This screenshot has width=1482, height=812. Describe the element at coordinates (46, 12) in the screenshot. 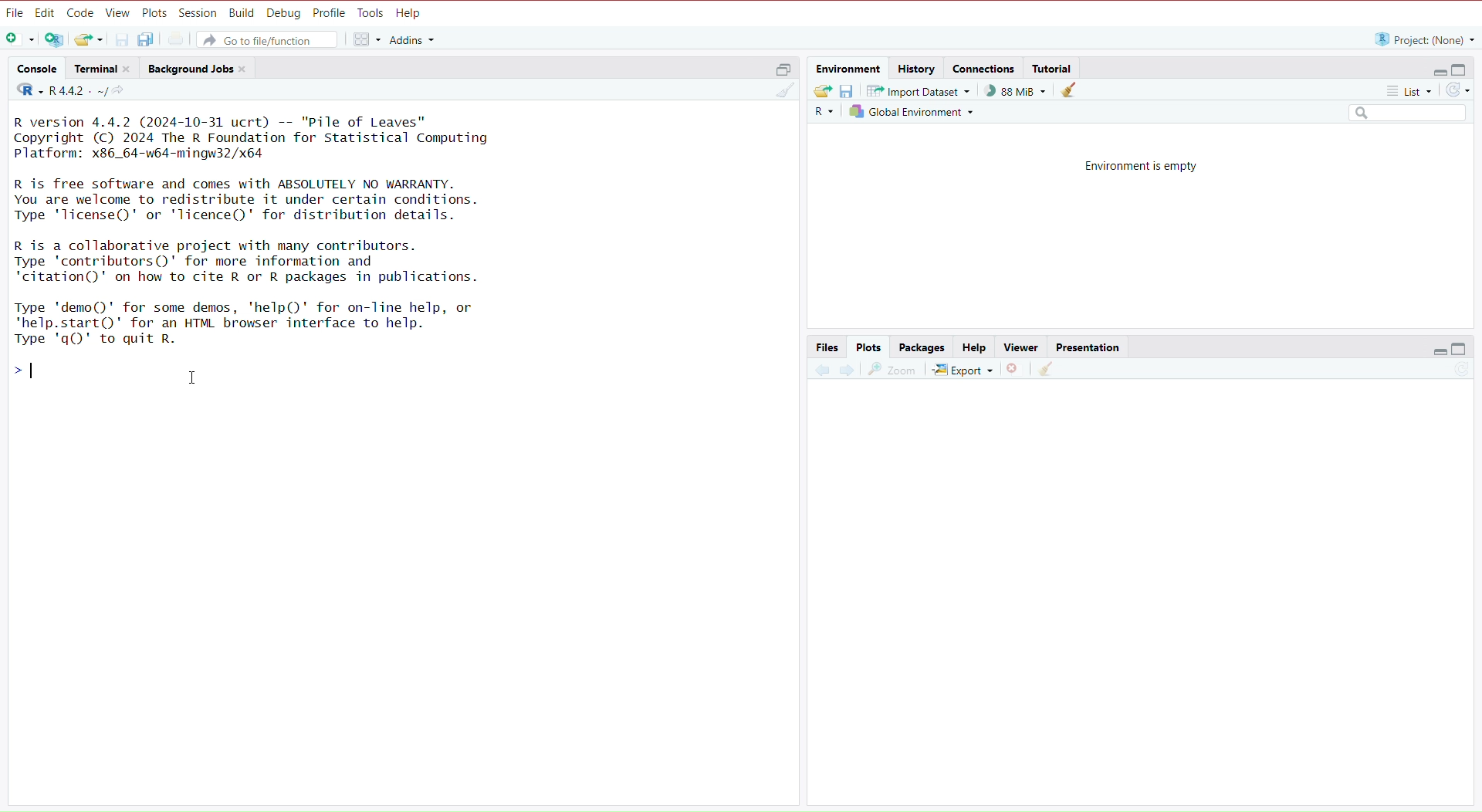

I see `Edit` at that location.